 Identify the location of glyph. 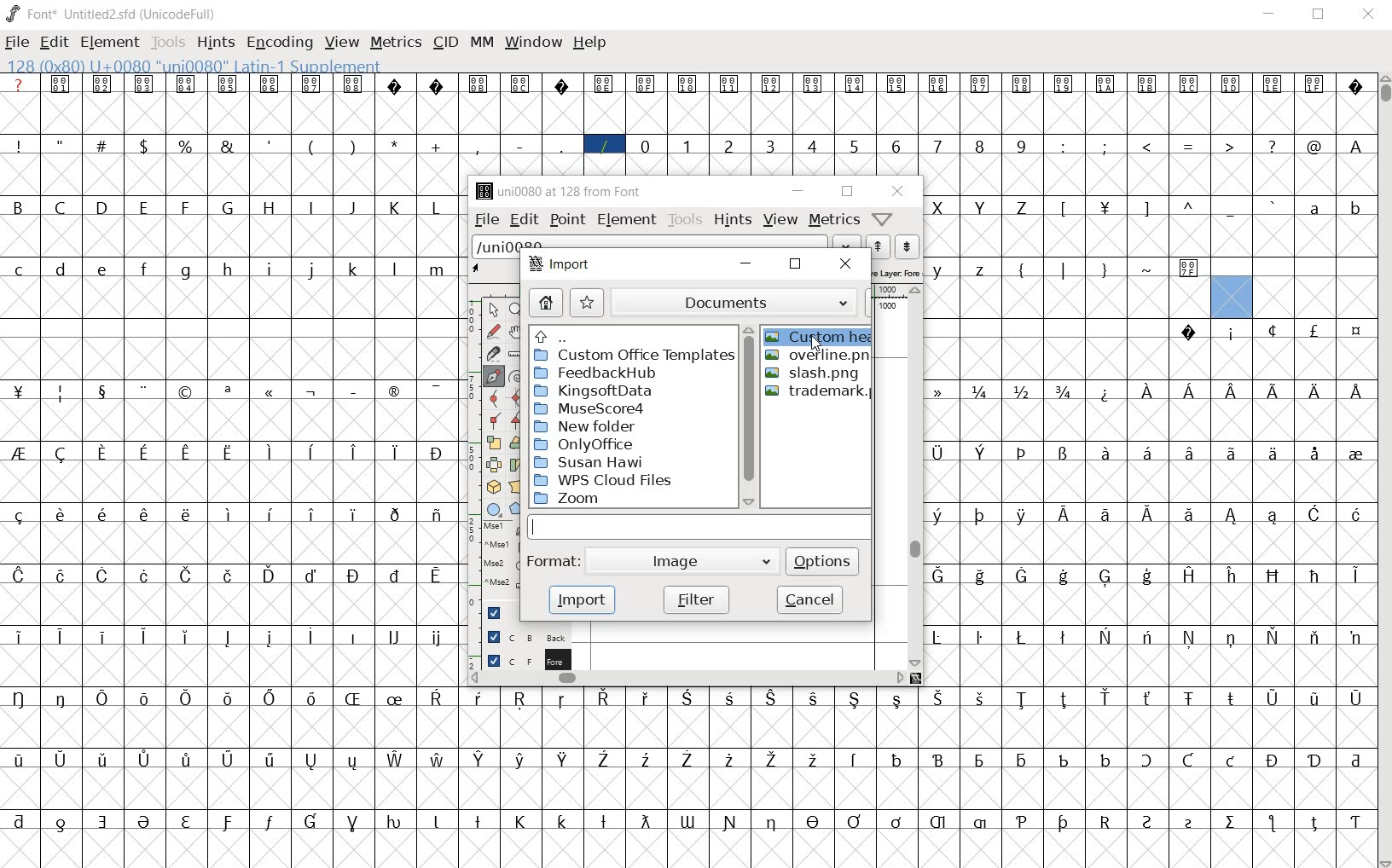
(478, 821).